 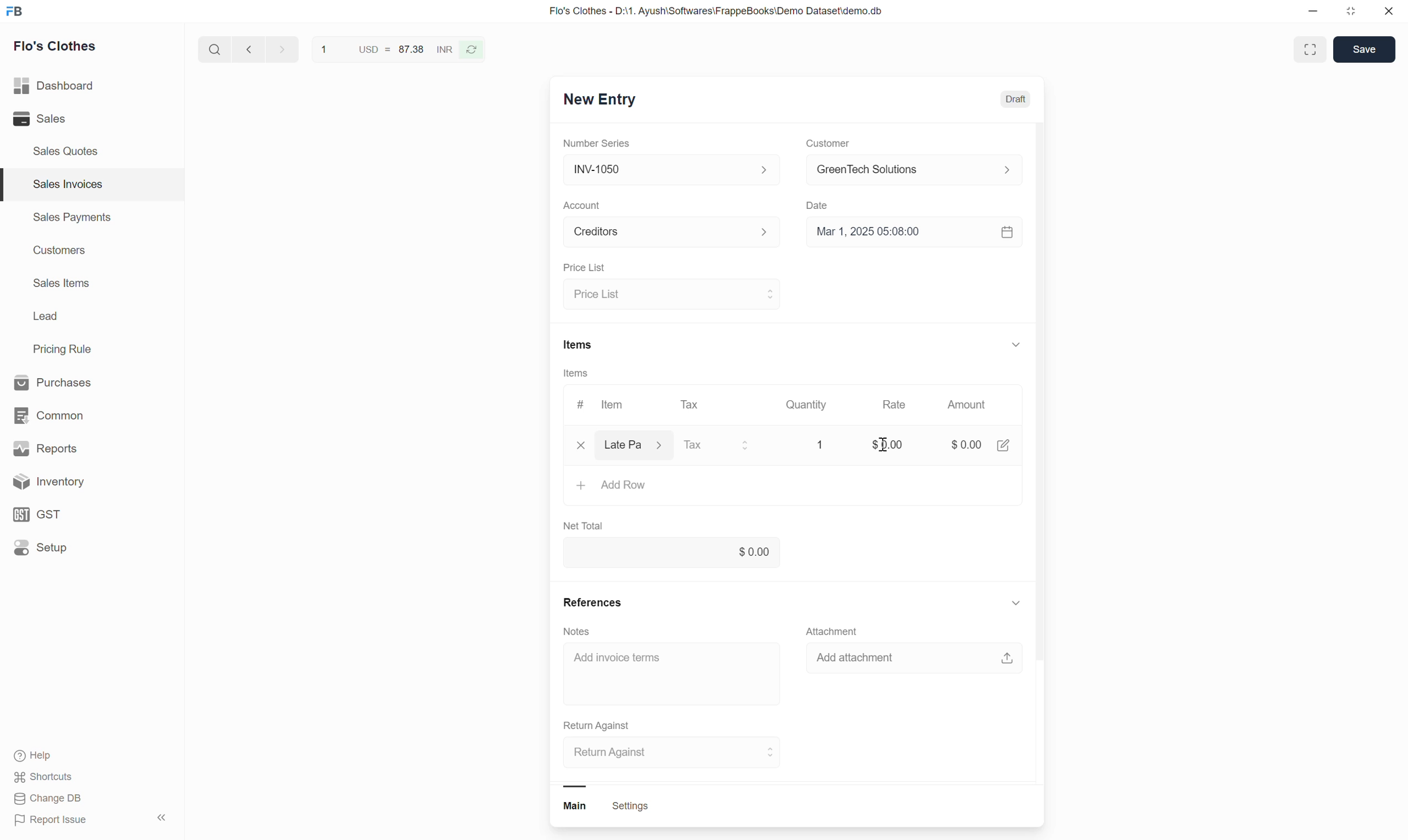 What do you see at coordinates (66, 184) in the screenshot?
I see `Sales Invoices` at bounding box center [66, 184].